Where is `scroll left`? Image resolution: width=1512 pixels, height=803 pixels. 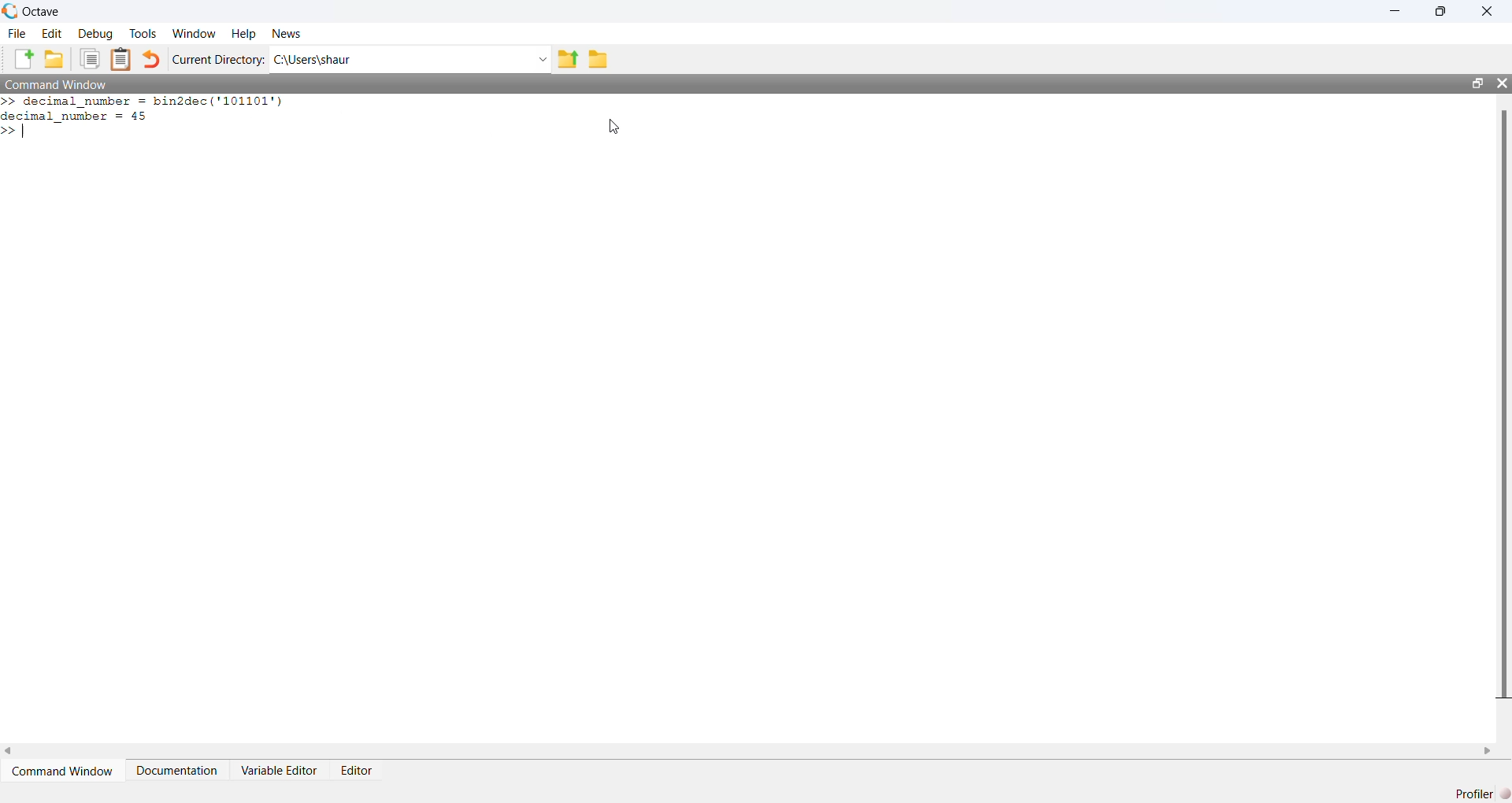 scroll left is located at coordinates (9, 751).